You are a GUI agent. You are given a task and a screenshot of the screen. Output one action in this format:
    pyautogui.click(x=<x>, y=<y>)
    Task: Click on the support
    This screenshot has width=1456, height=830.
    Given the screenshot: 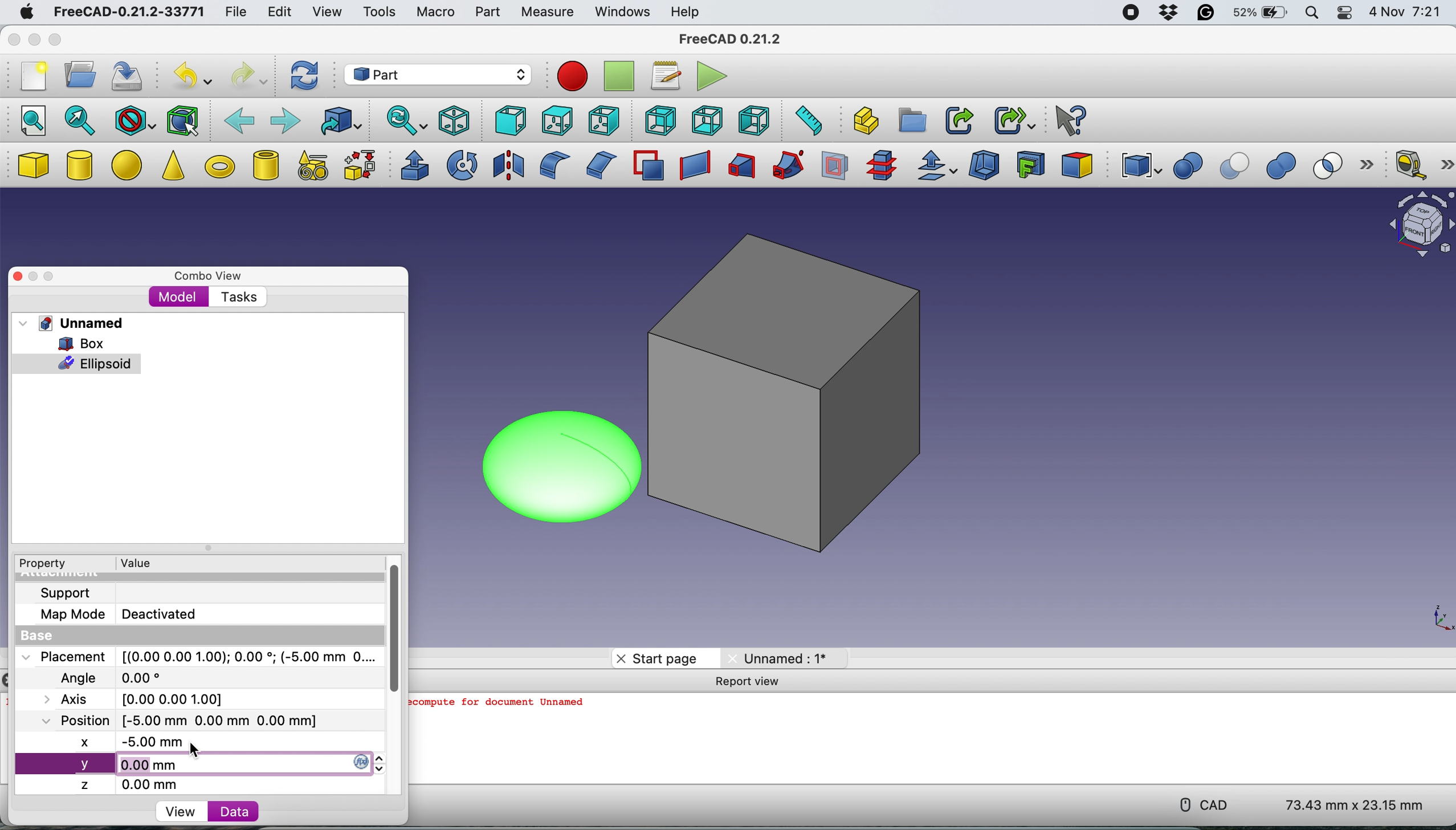 What is the action you would take?
    pyautogui.click(x=63, y=593)
    